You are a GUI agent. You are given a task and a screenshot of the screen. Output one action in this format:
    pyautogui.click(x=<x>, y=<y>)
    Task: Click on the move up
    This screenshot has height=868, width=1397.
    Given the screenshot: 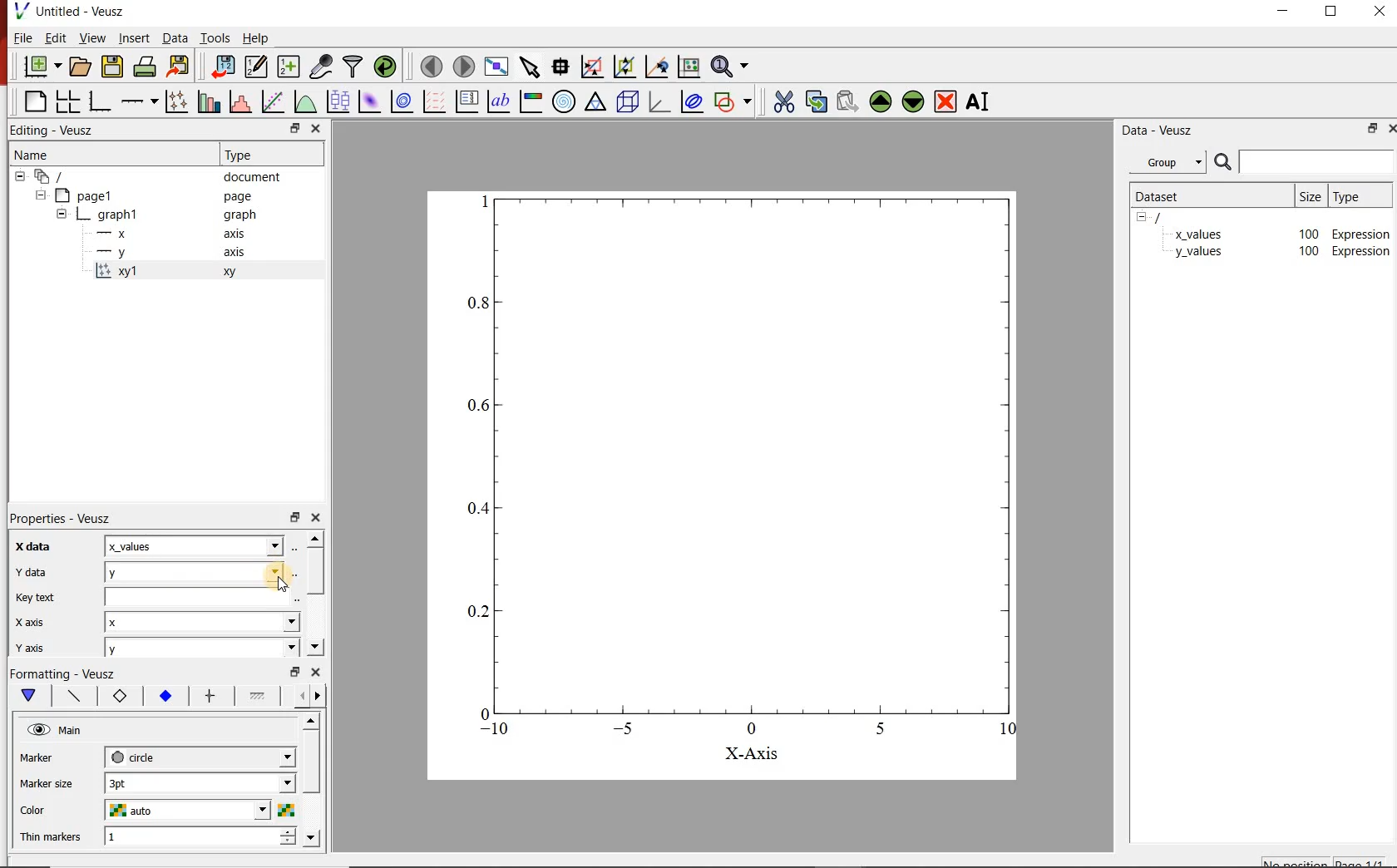 What is the action you would take?
    pyautogui.click(x=315, y=539)
    